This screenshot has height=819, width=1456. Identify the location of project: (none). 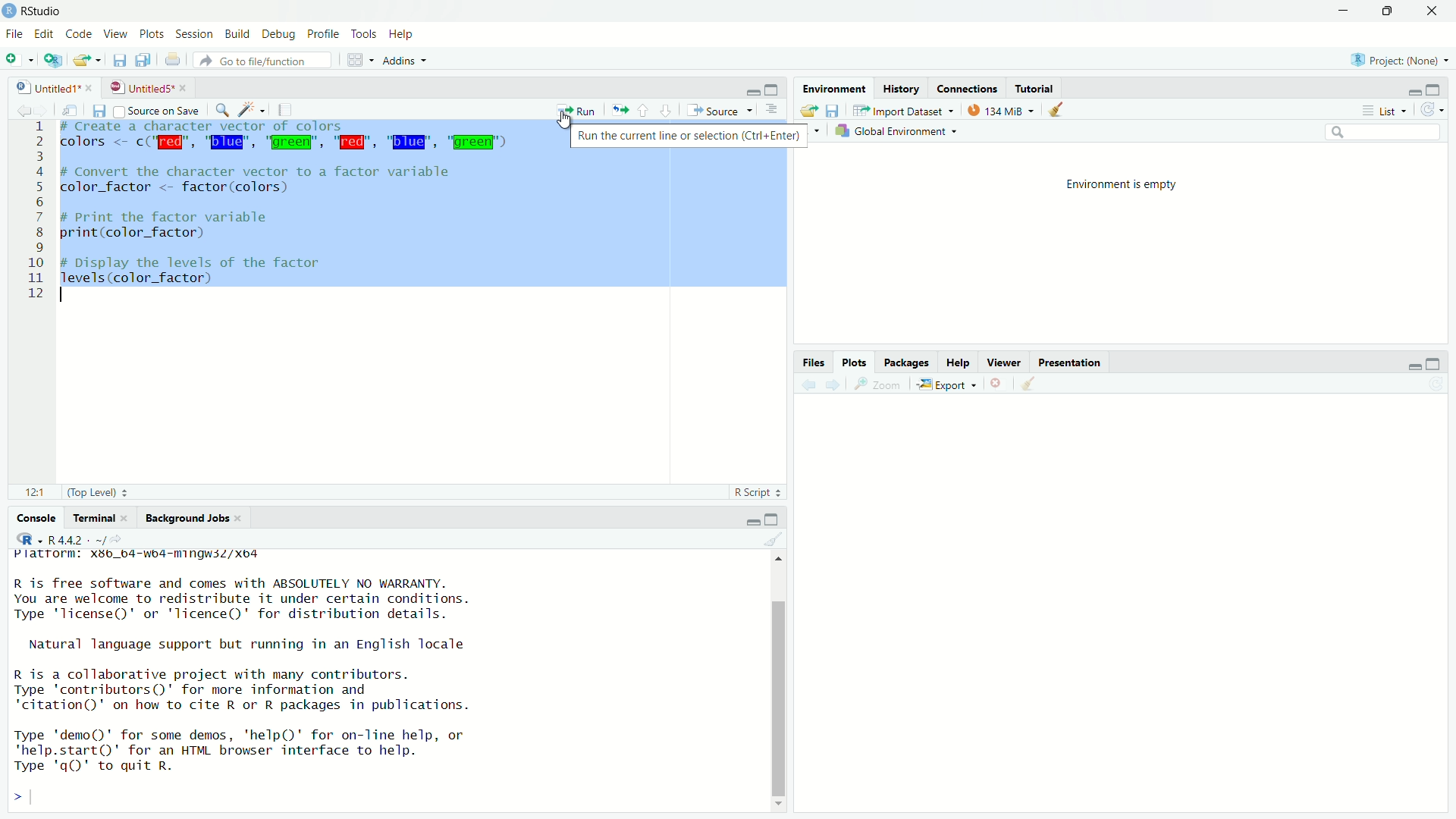
(1403, 61).